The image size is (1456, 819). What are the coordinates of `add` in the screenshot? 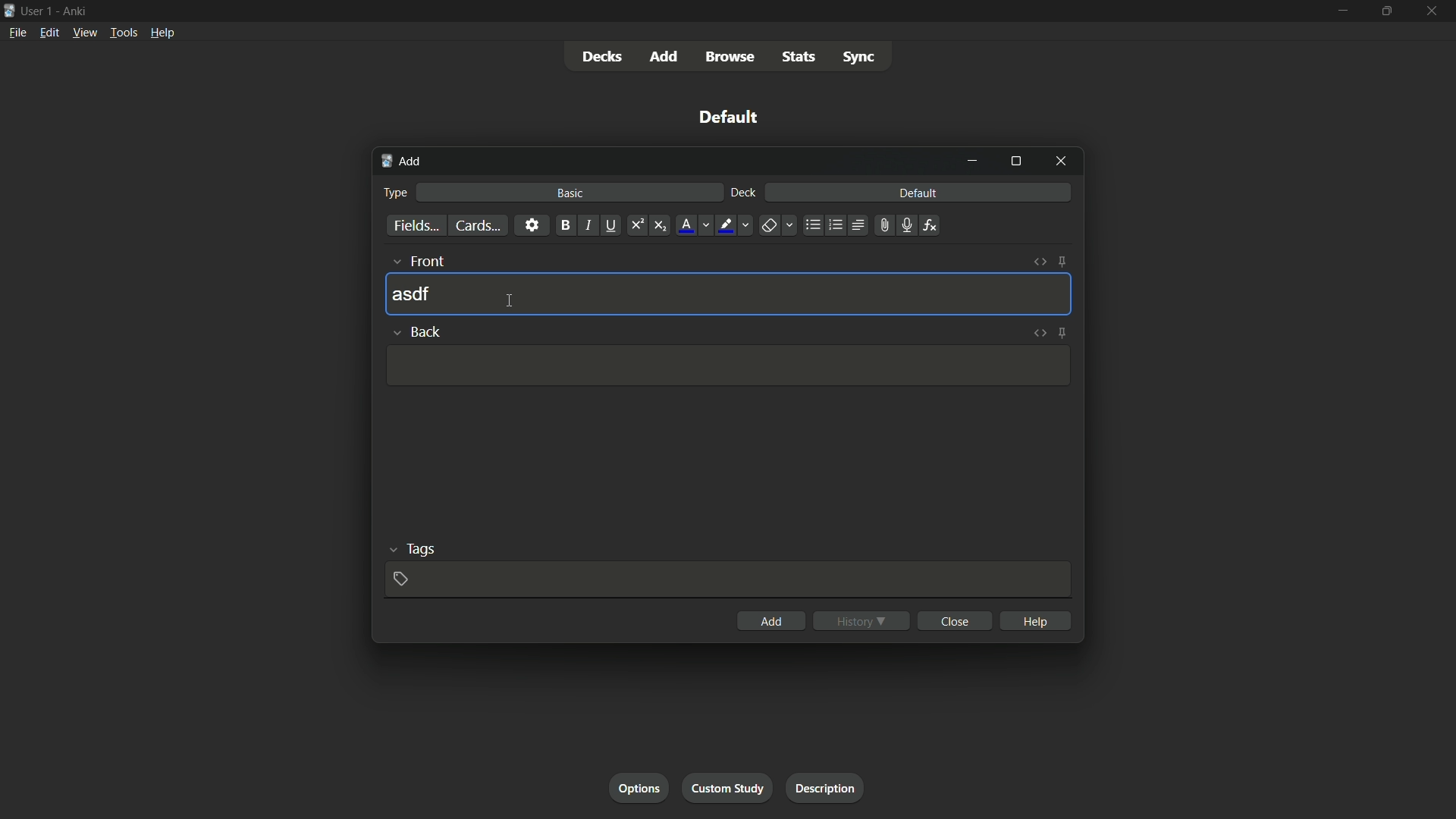 It's located at (772, 620).